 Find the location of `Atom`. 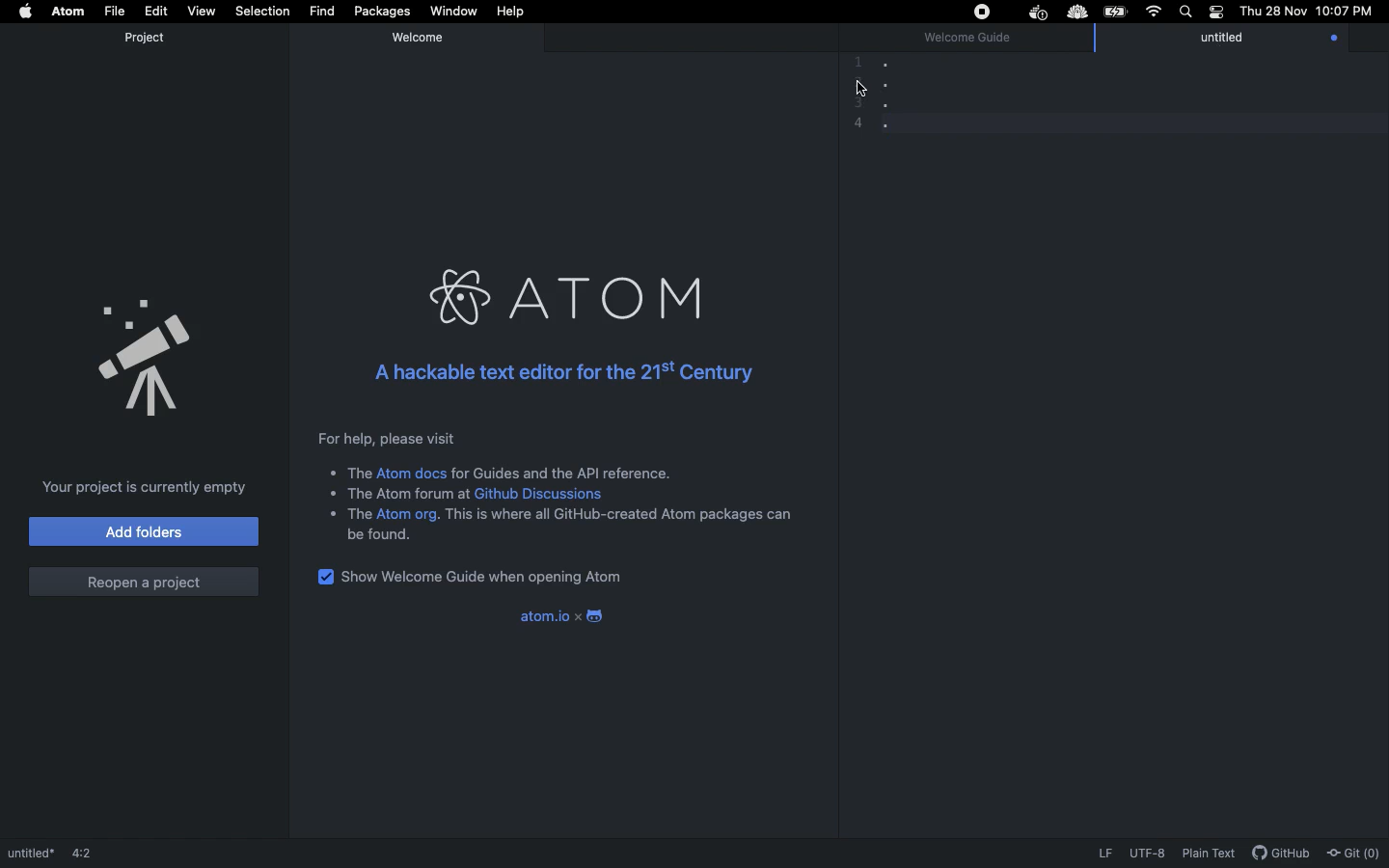

Atom is located at coordinates (571, 295).